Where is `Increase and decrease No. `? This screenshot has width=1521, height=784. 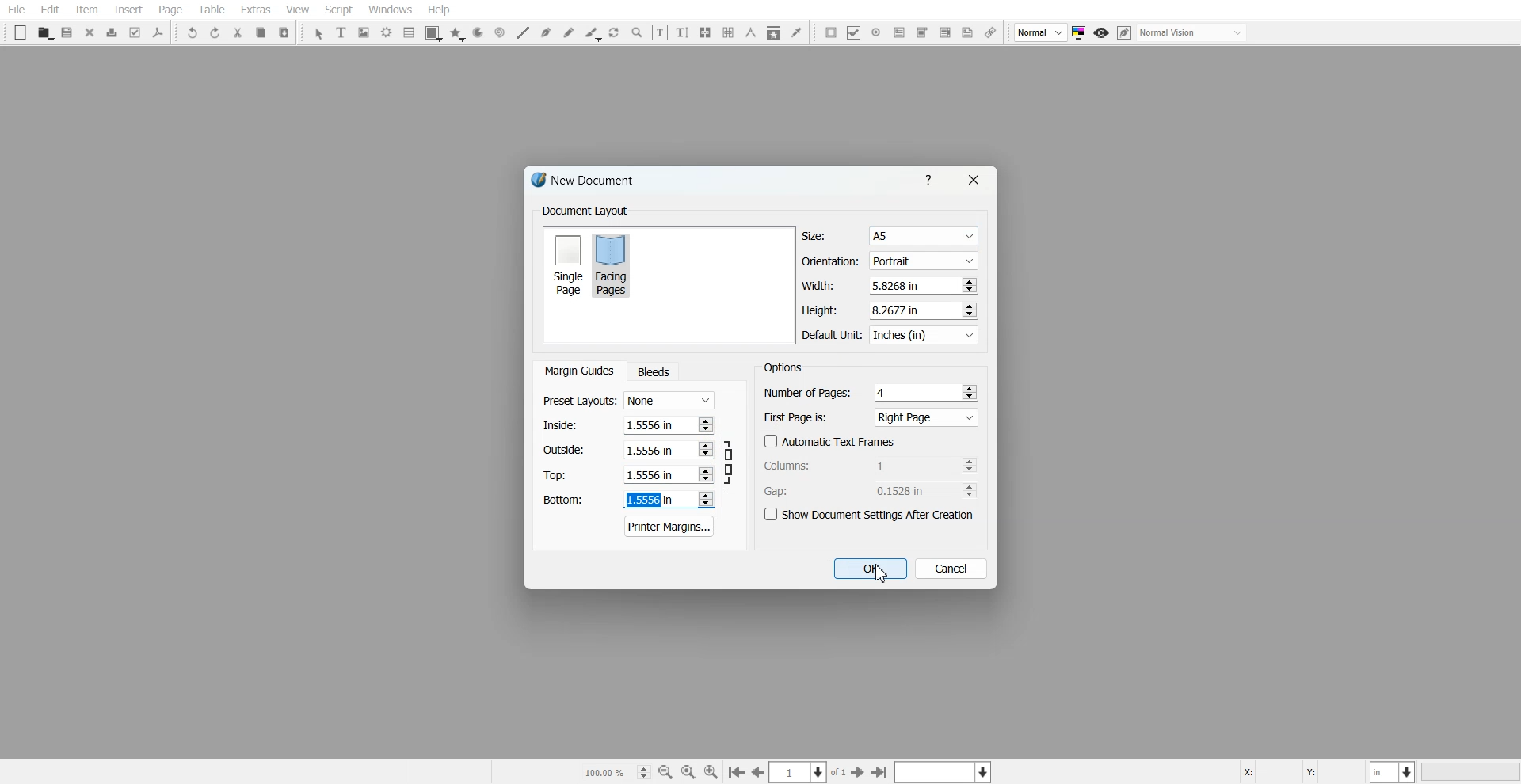 Increase and decrease No.  is located at coordinates (968, 285).